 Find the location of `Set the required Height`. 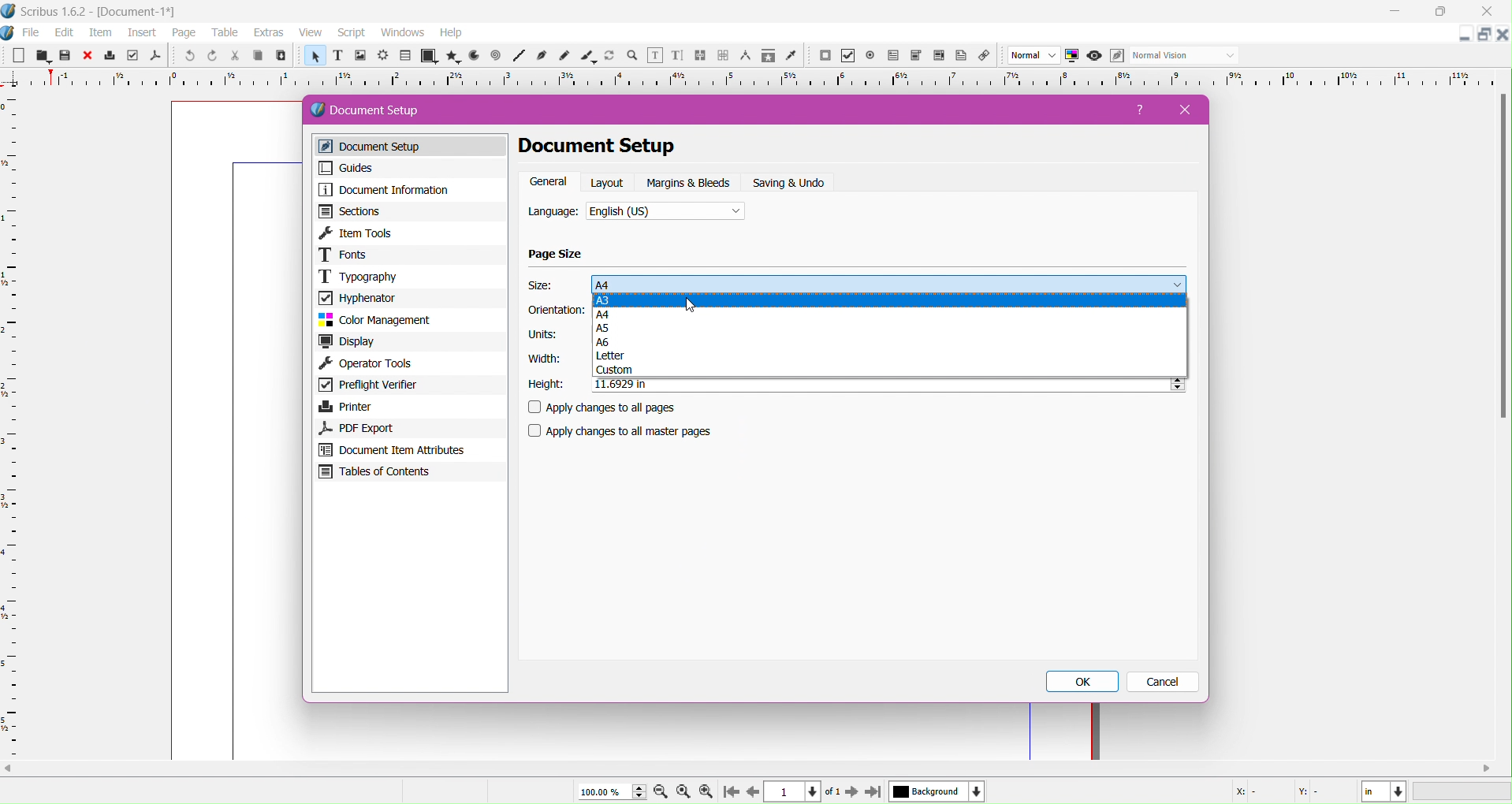

Set the required Height is located at coordinates (887, 385).